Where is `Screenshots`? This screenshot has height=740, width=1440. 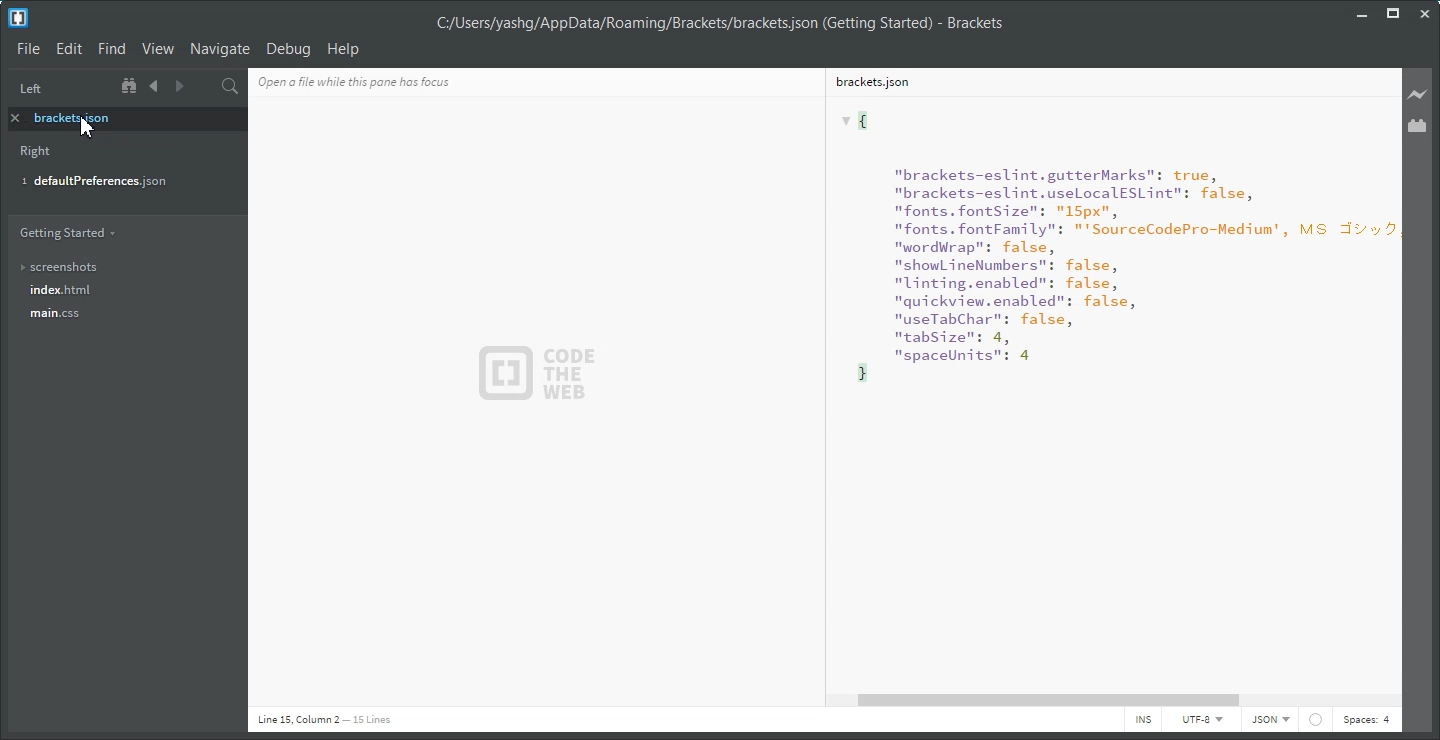
Screenshots is located at coordinates (121, 267).